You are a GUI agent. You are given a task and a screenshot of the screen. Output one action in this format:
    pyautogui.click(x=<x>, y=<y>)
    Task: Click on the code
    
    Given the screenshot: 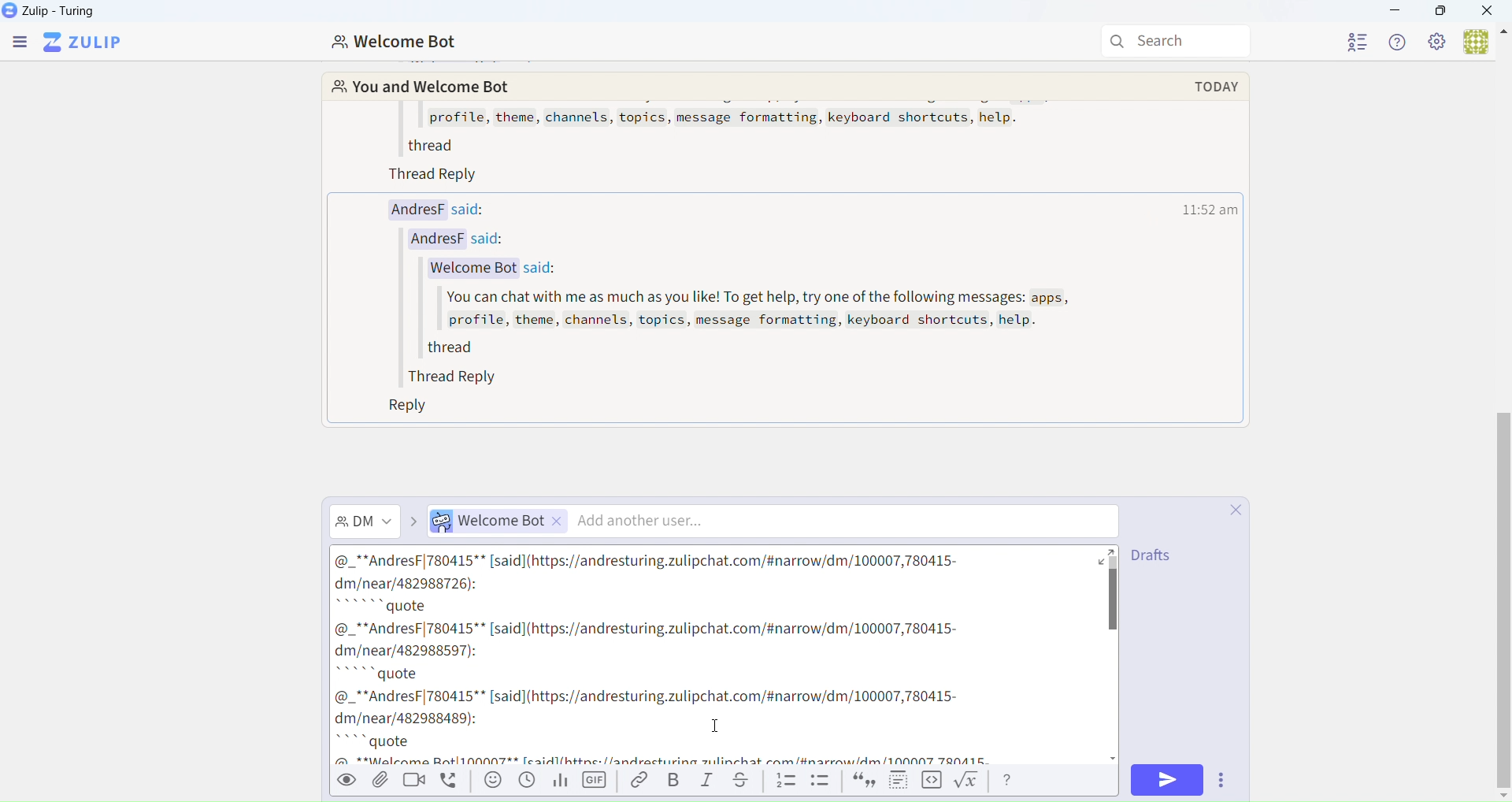 What is the action you would take?
    pyautogui.click(x=932, y=782)
    